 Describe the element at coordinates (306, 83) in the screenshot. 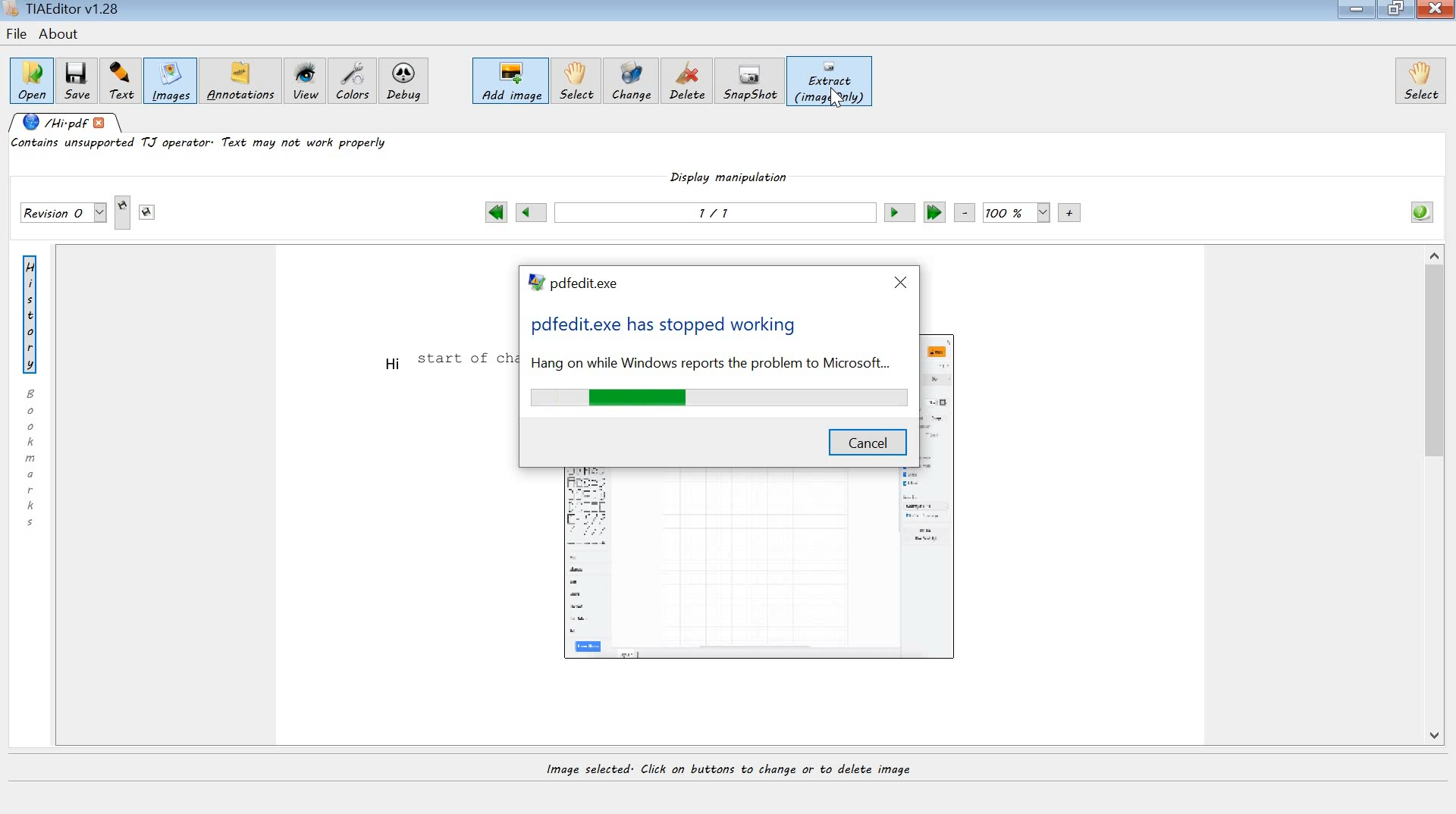

I see `view` at that location.